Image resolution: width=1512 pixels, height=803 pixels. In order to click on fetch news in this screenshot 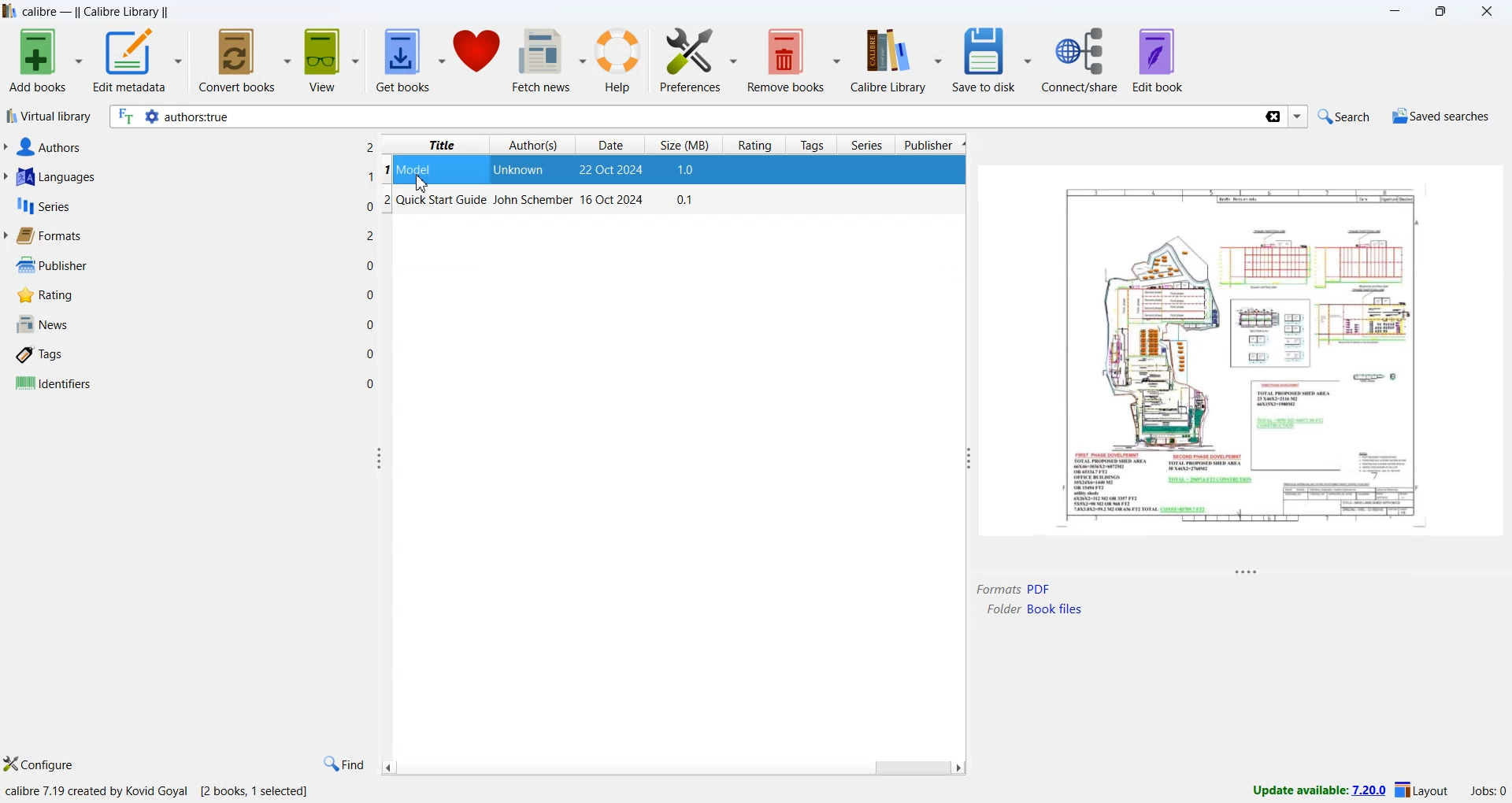, I will do `click(551, 63)`.